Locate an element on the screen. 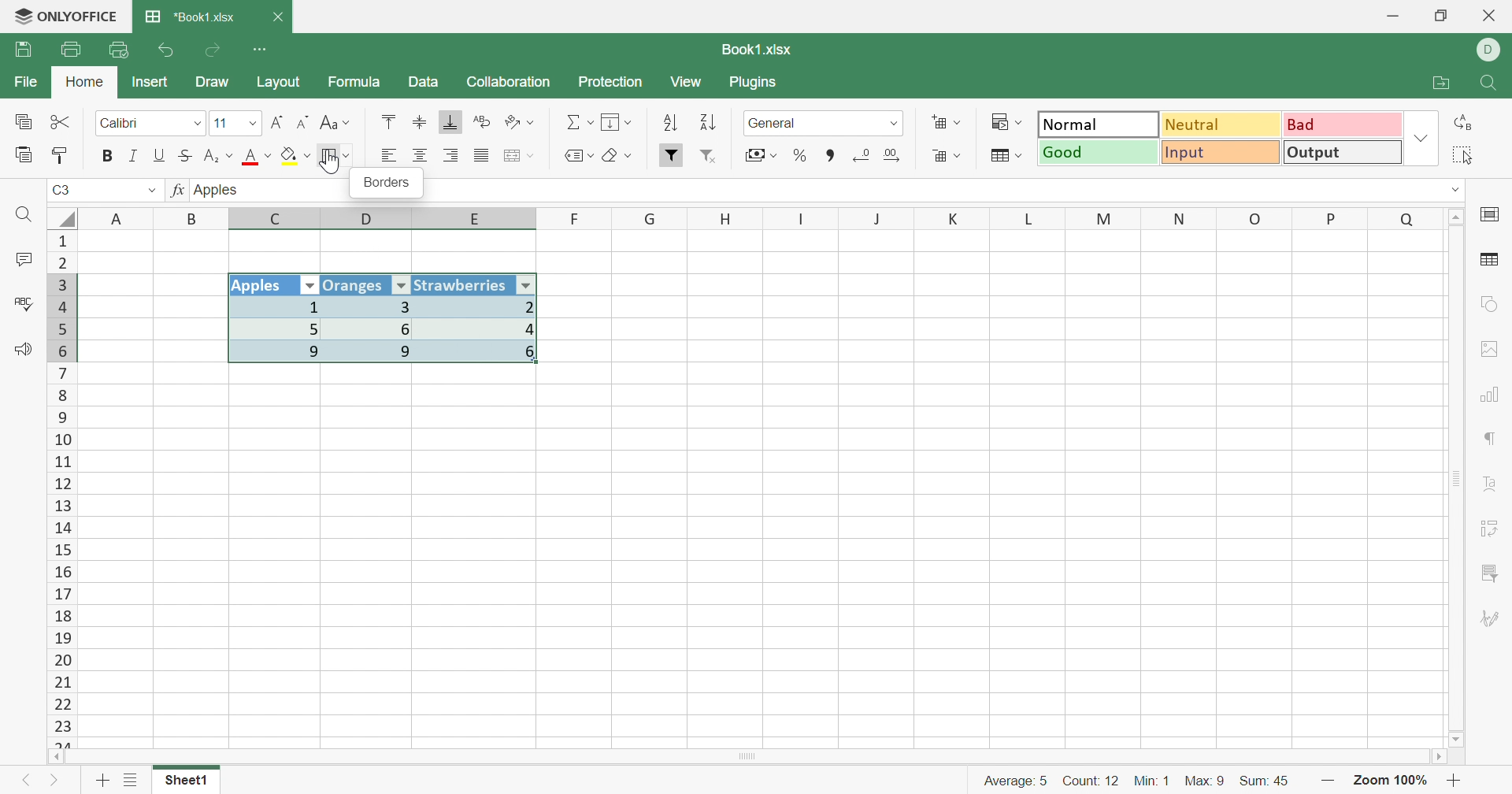 Image resolution: width=1512 pixels, height=794 pixels. Draw is located at coordinates (218, 83).